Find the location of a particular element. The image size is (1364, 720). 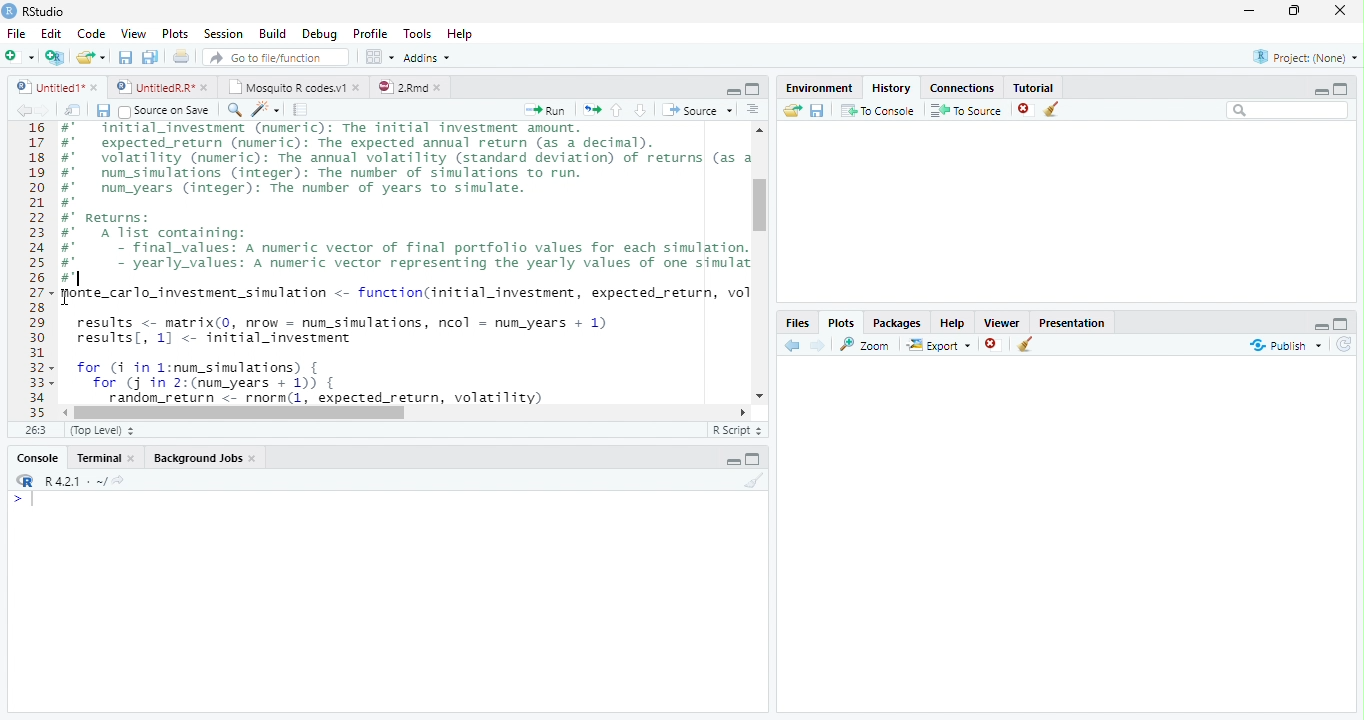

Scroll bar is located at coordinates (244, 412).